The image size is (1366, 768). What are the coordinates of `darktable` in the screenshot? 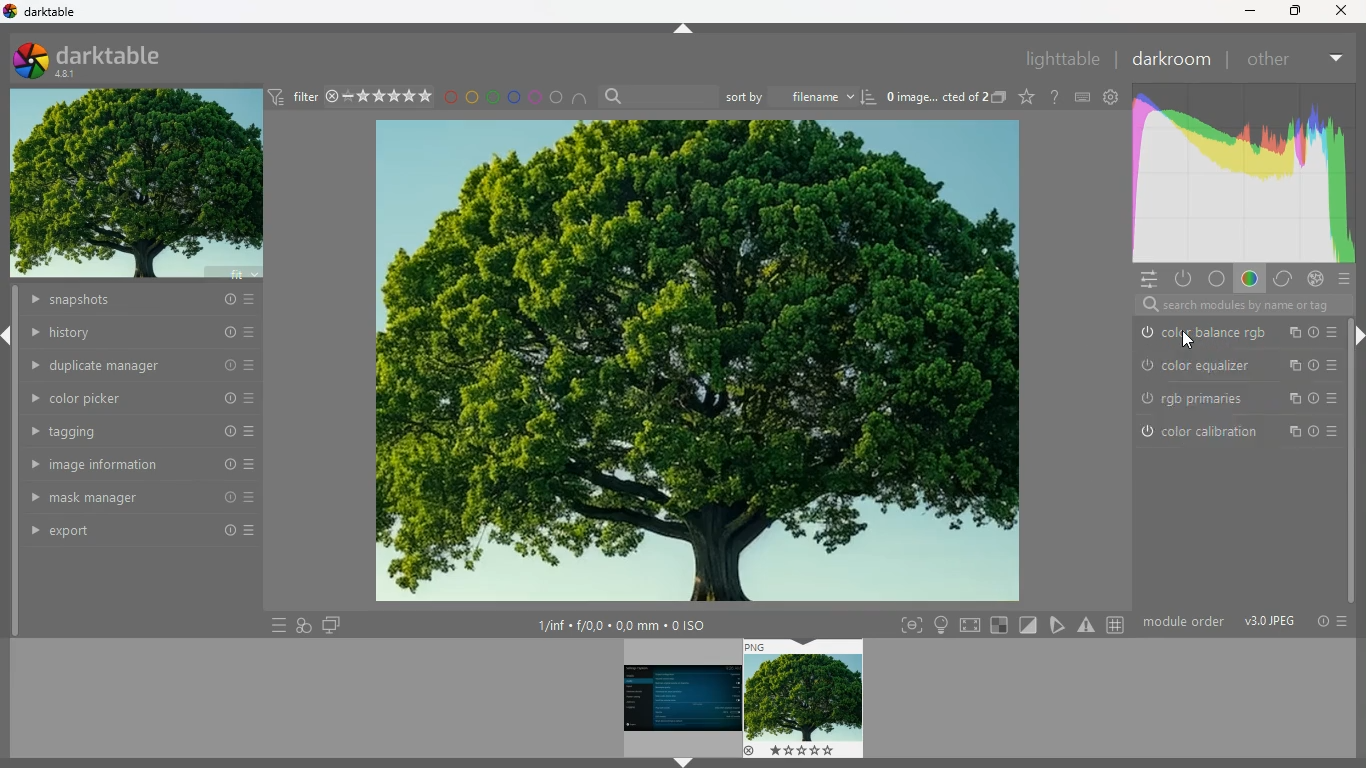 It's located at (49, 11).